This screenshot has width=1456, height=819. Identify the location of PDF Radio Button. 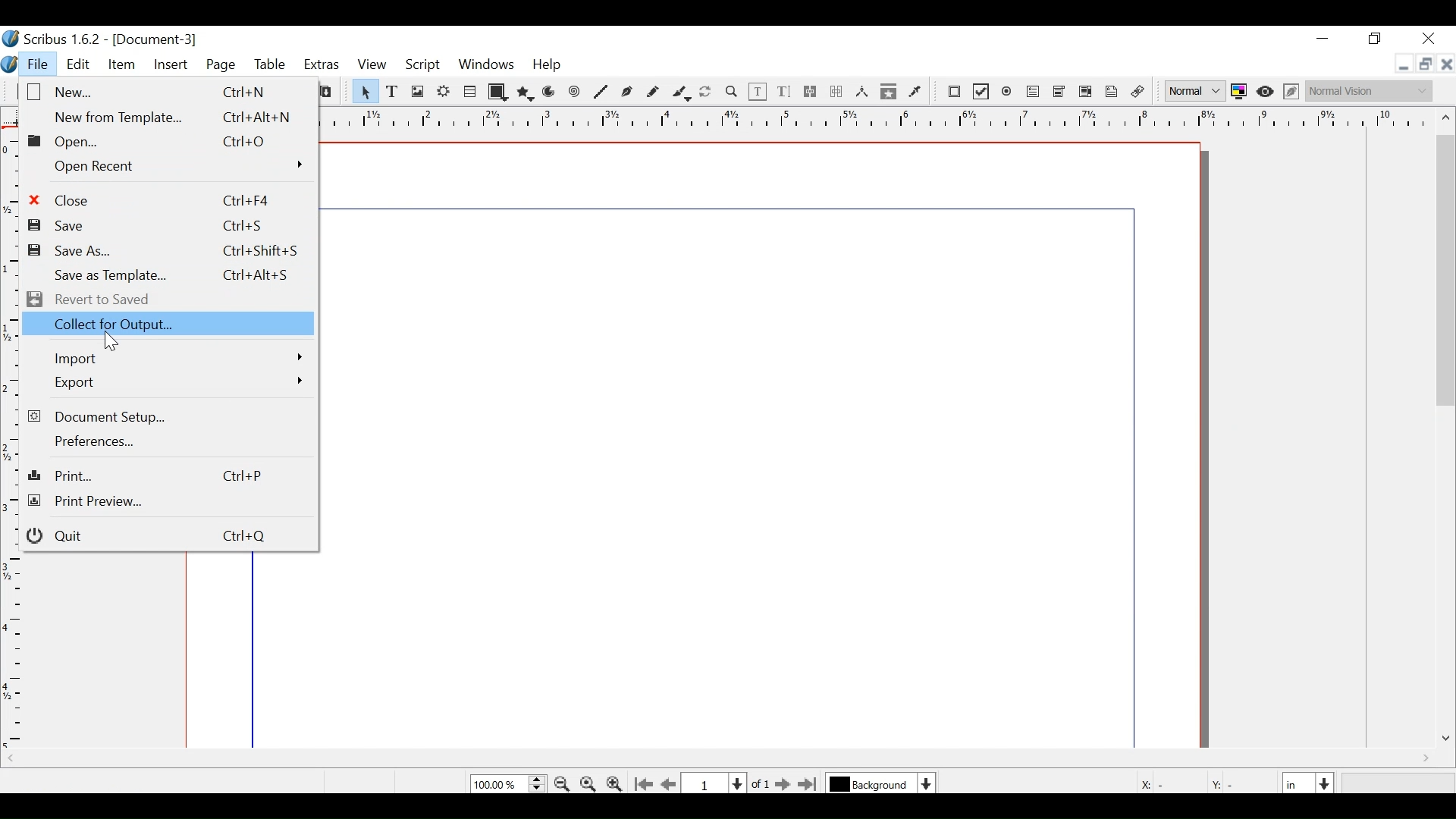
(1007, 92).